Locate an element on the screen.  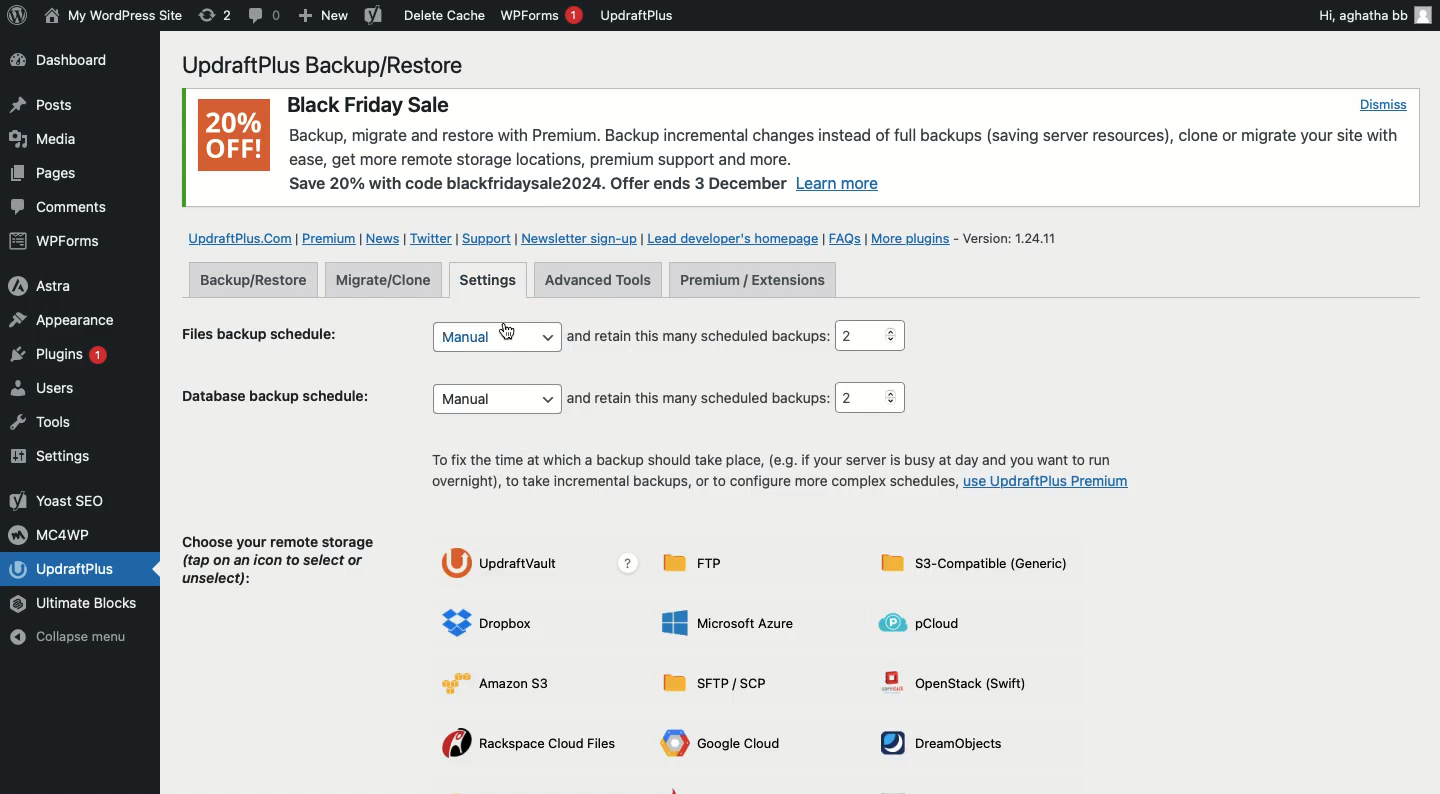
Posts is located at coordinates (41, 177).